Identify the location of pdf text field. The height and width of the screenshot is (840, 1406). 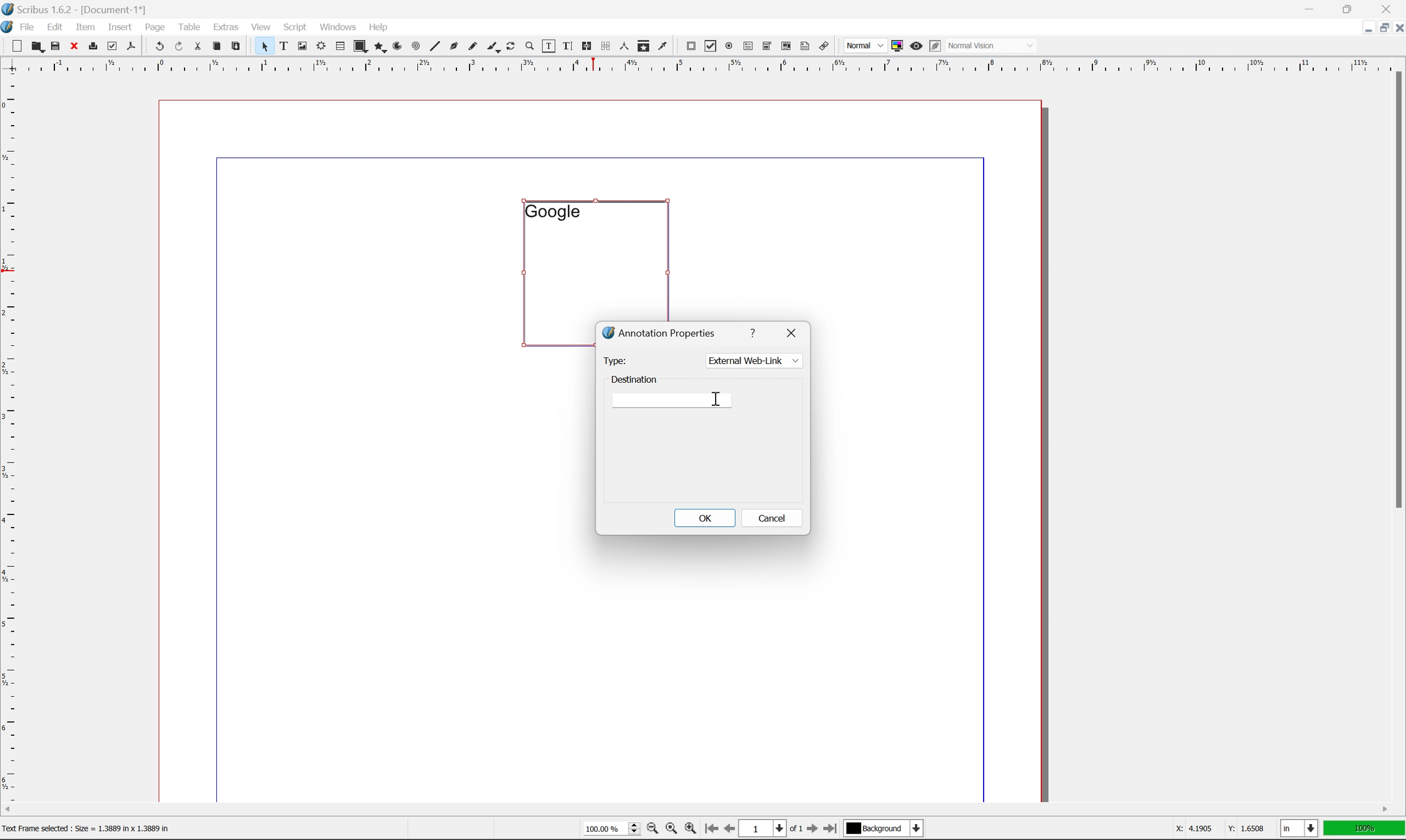
(746, 47).